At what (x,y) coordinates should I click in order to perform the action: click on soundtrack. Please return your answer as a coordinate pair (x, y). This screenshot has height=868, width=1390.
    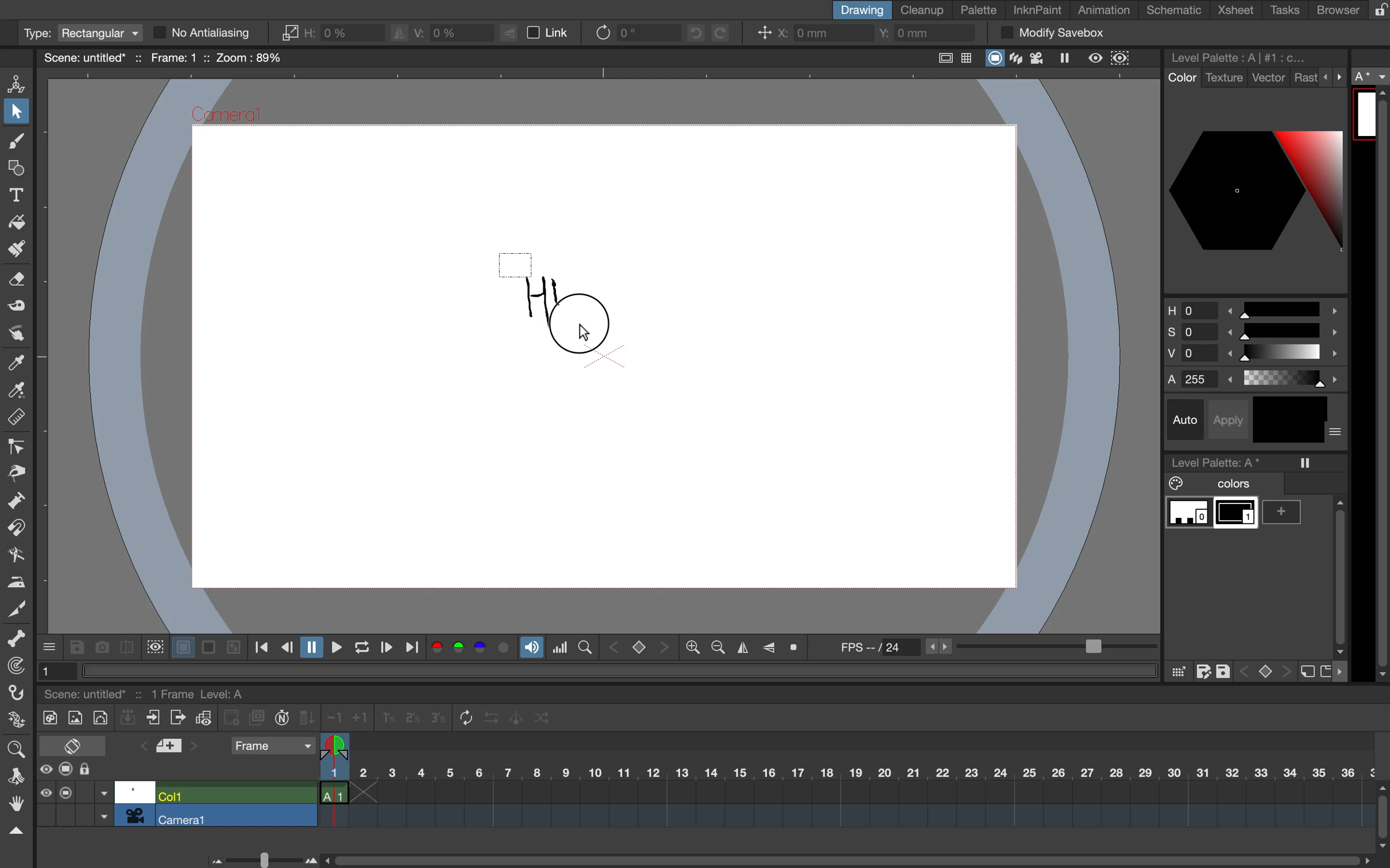
    Looking at the image, I should click on (531, 650).